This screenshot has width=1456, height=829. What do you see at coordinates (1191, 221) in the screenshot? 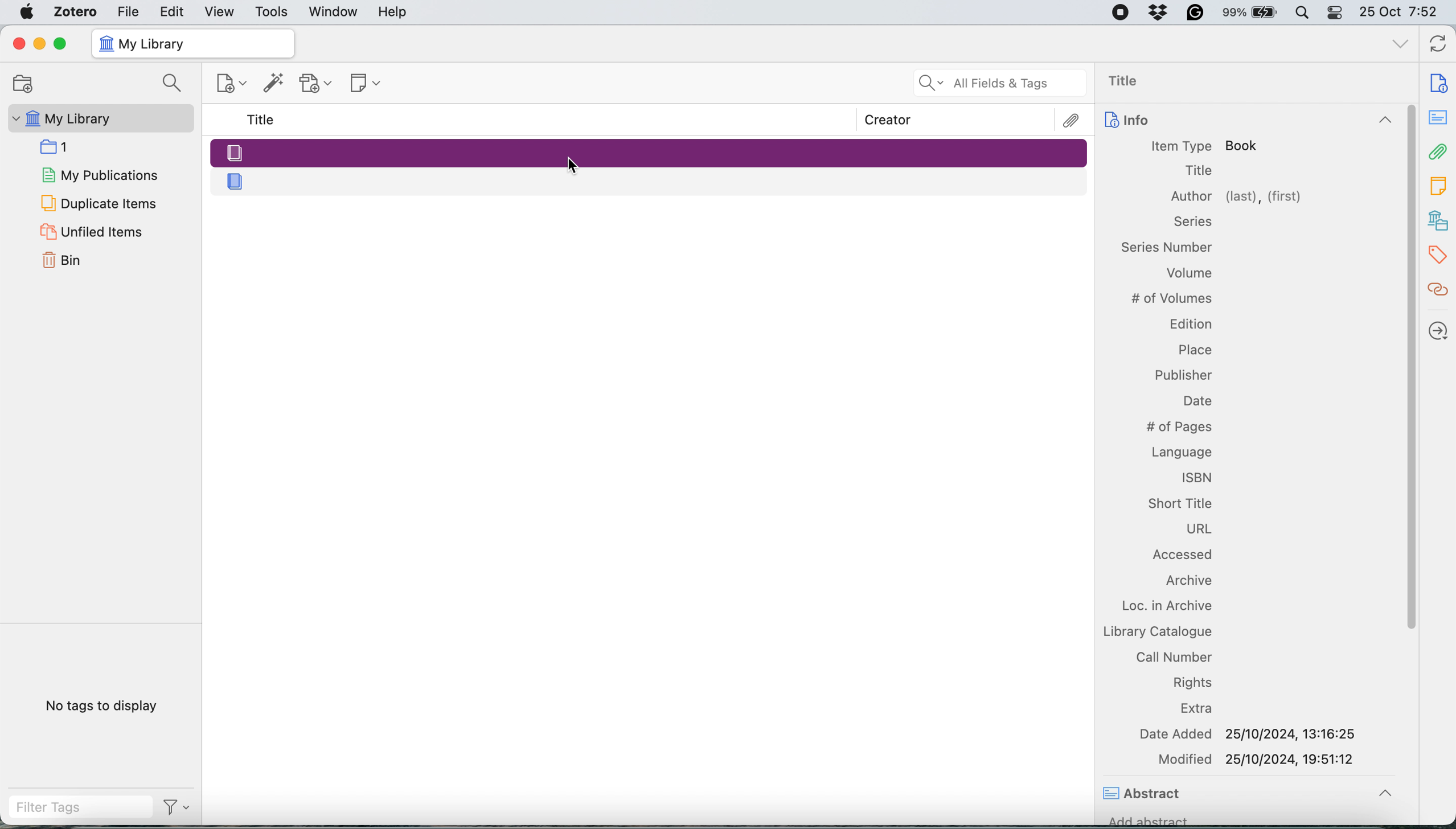
I see `` at bounding box center [1191, 221].